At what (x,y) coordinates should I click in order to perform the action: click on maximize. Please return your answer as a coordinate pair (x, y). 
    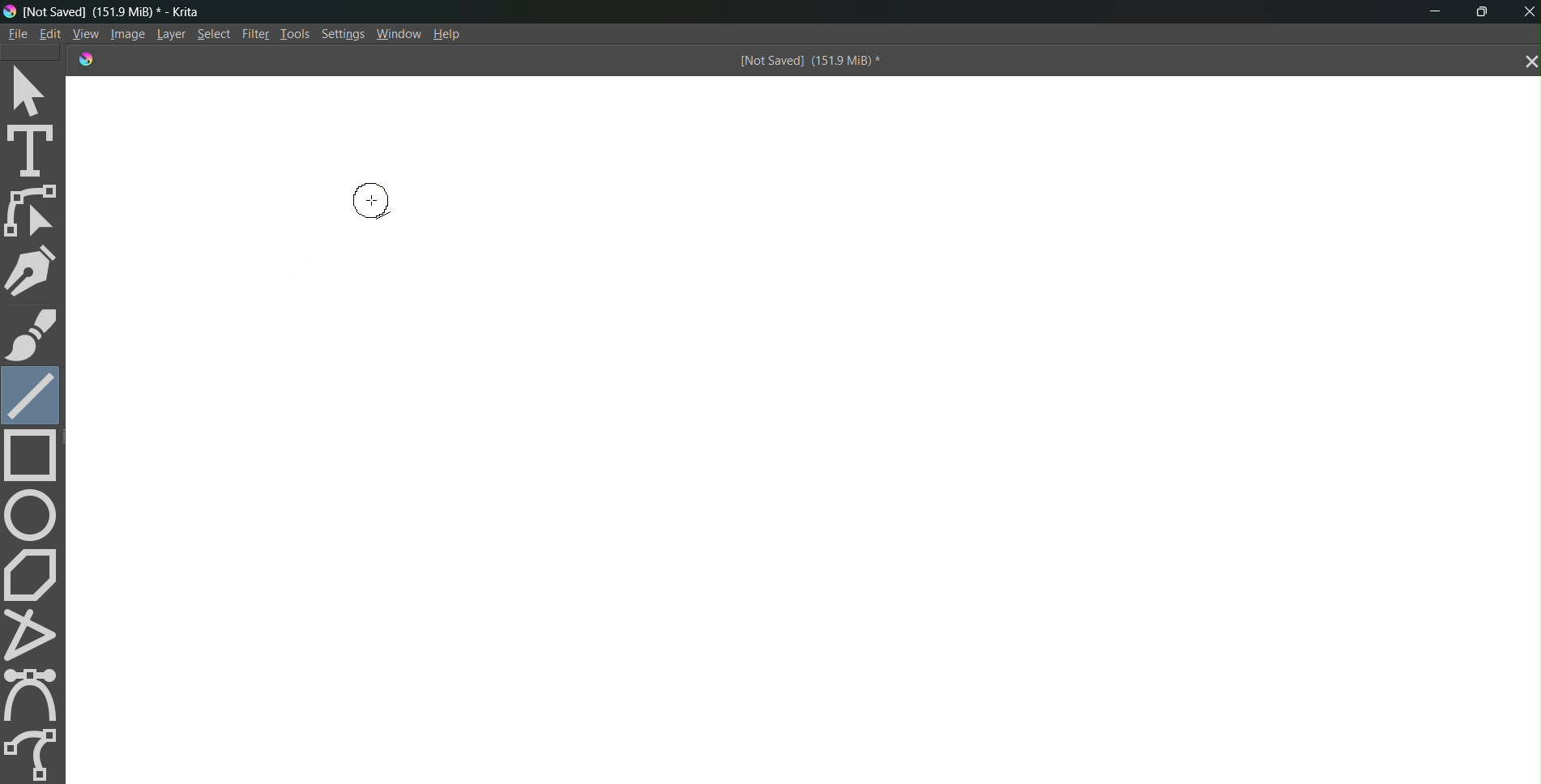
    Looking at the image, I should click on (1487, 10).